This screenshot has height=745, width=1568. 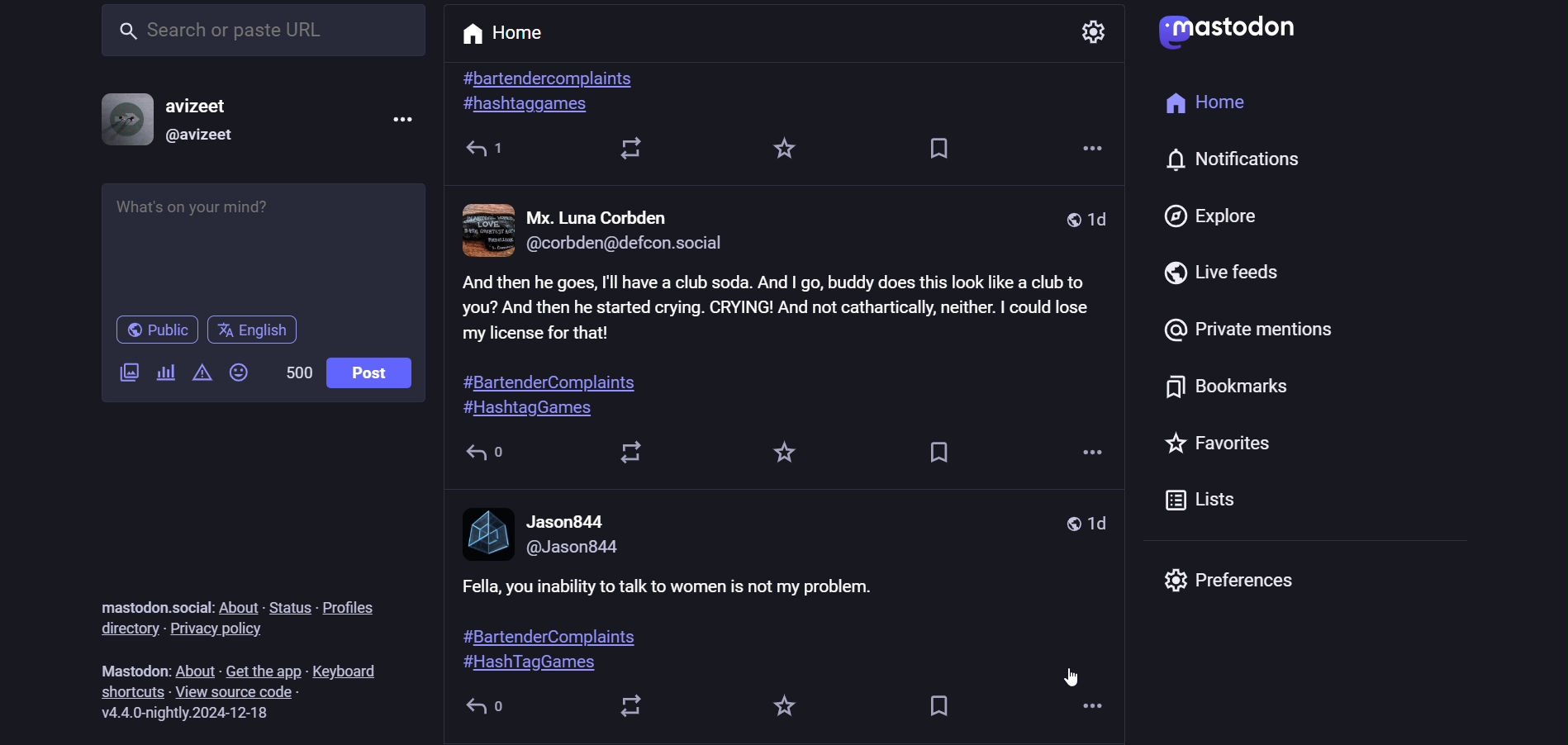 I want to click on 1d, so click(x=1085, y=216).